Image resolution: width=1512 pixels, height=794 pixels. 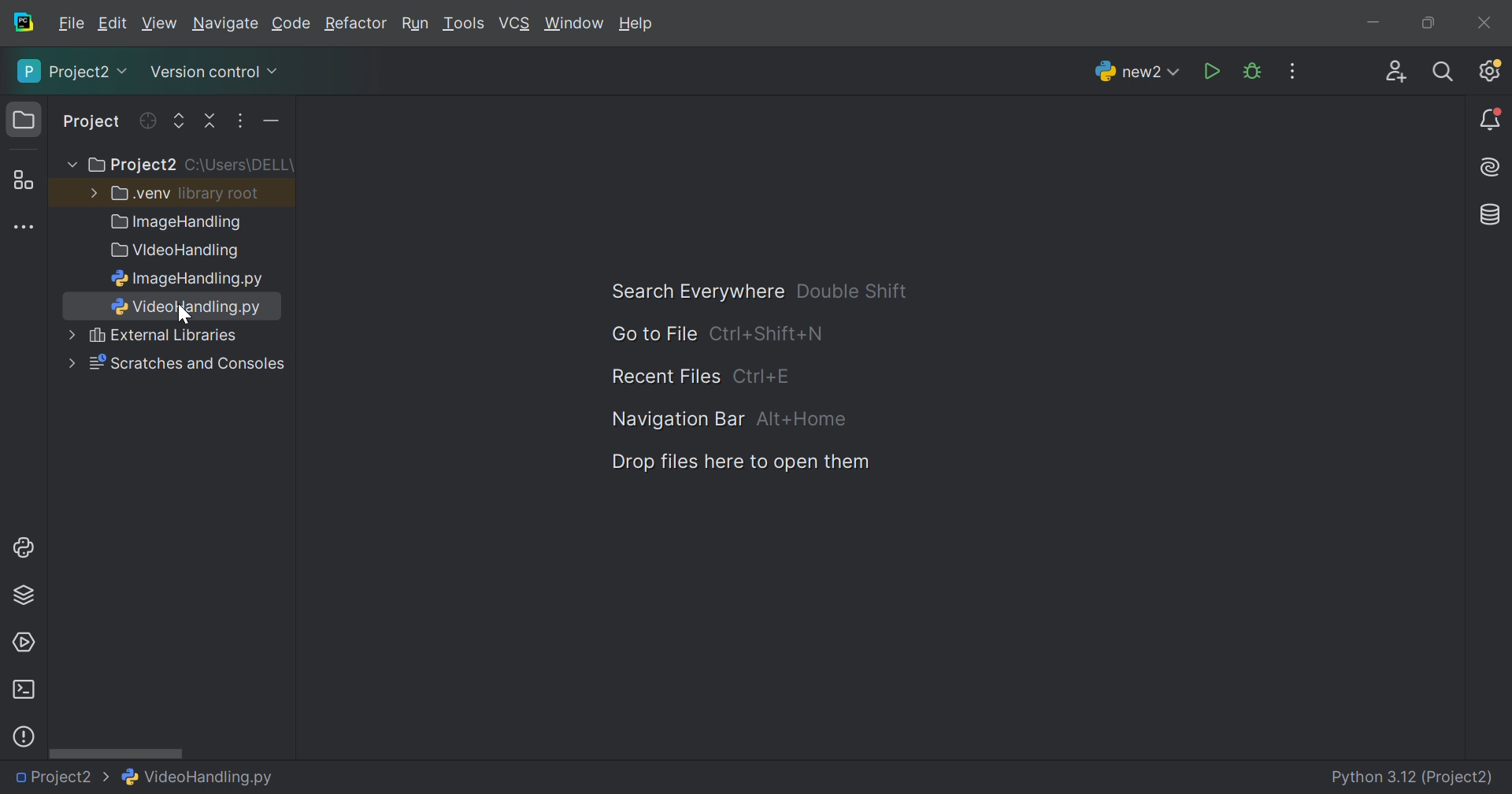 What do you see at coordinates (177, 224) in the screenshot?
I see `Image Handling` at bounding box center [177, 224].